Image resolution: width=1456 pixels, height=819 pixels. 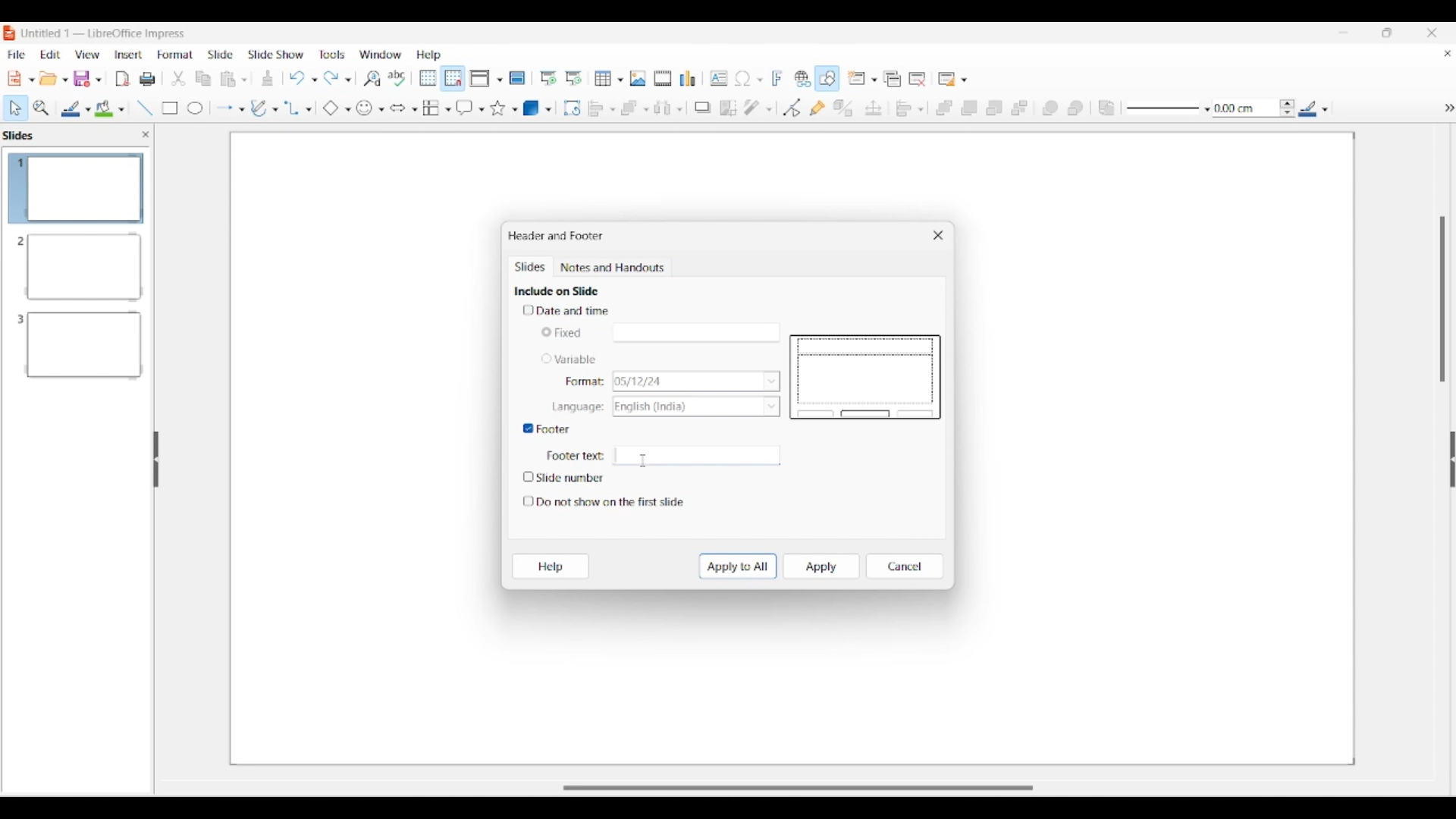 I want to click on Show gluepoint functions, so click(x=817, y=108).